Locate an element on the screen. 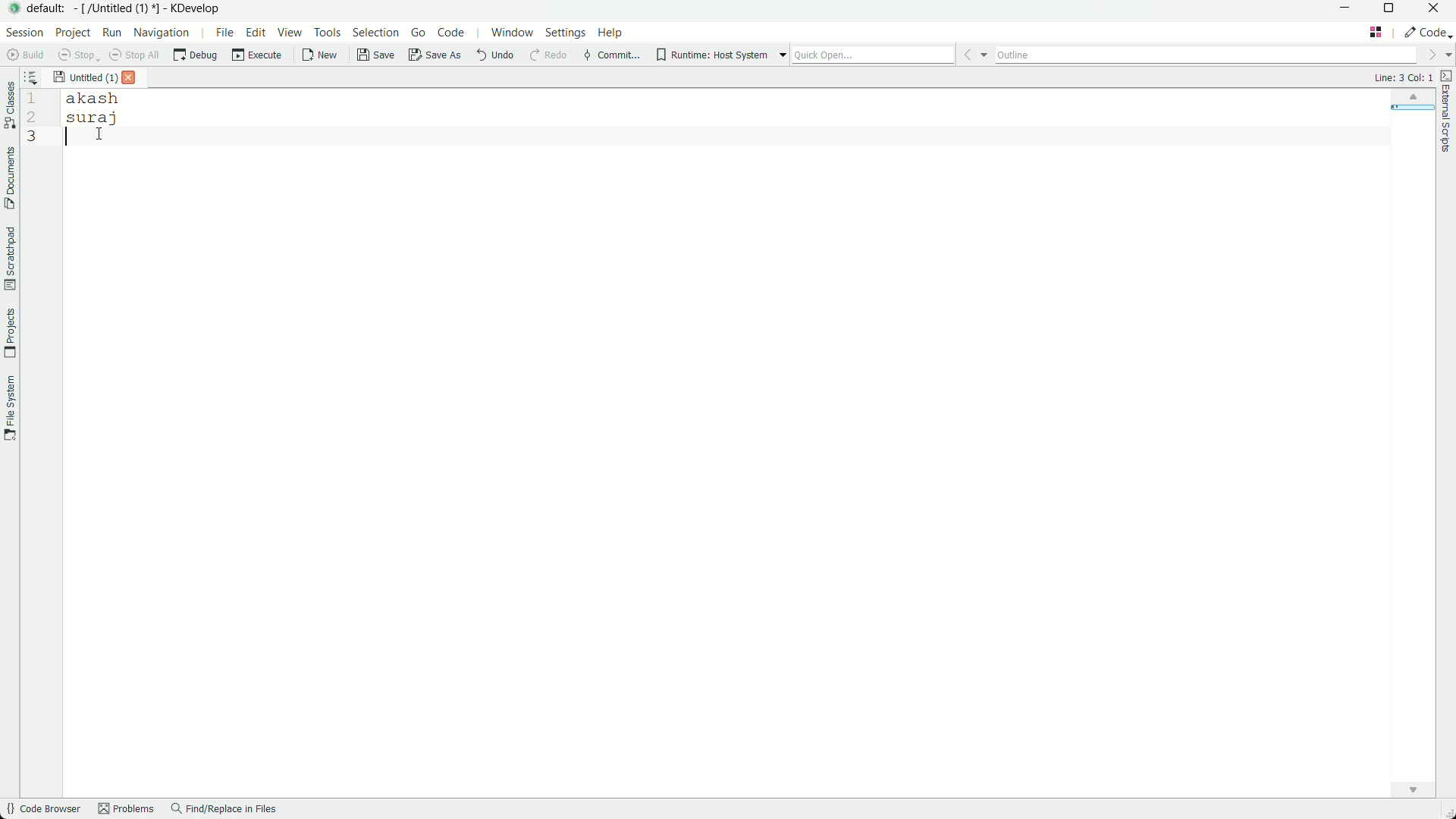  problems is located at coordinates (125, 811).